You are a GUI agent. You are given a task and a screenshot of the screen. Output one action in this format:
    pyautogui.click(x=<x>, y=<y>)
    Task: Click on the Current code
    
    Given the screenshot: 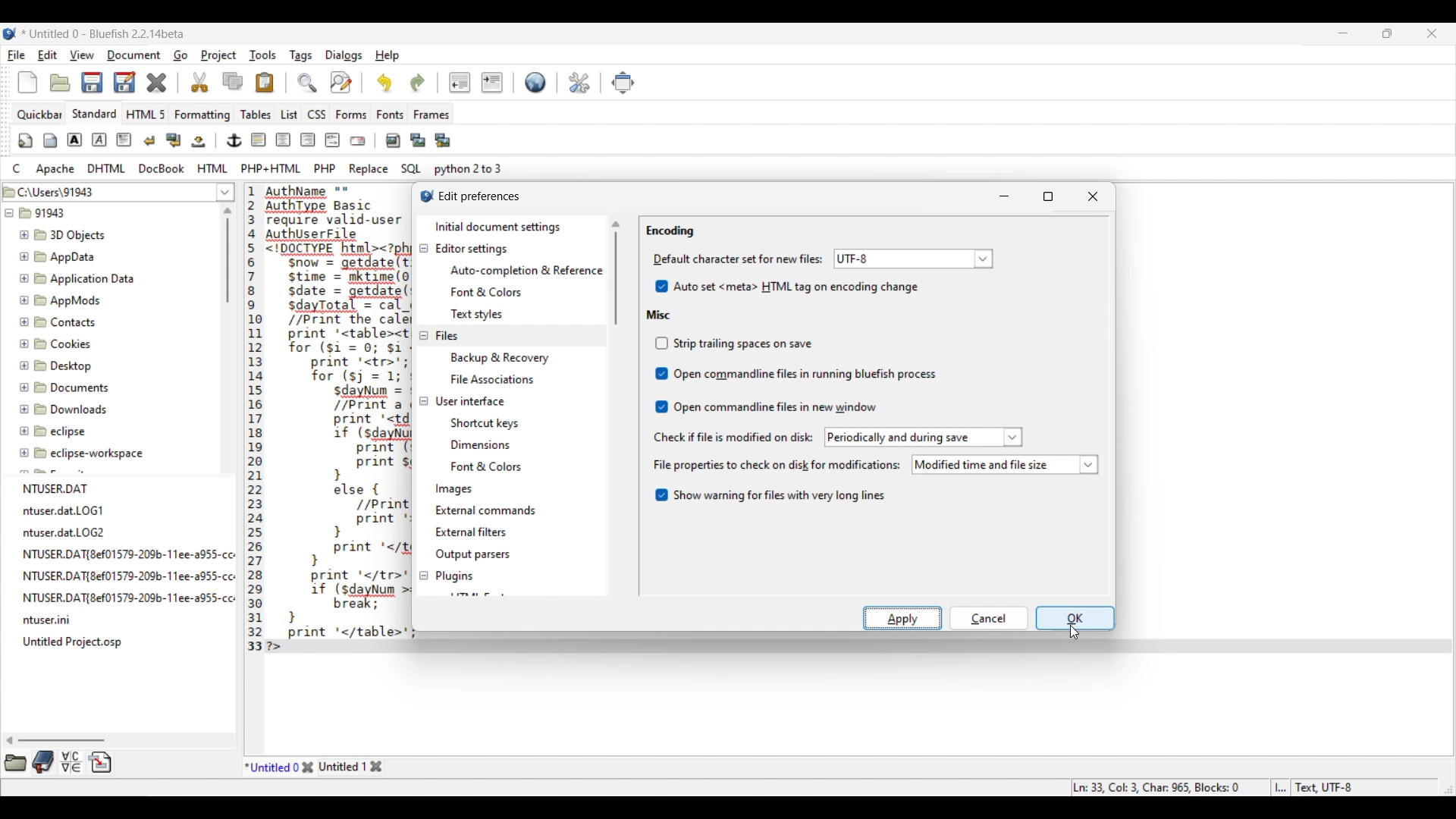 What is the action you would take?
    pyautogui.click(x=328, y=419)
    